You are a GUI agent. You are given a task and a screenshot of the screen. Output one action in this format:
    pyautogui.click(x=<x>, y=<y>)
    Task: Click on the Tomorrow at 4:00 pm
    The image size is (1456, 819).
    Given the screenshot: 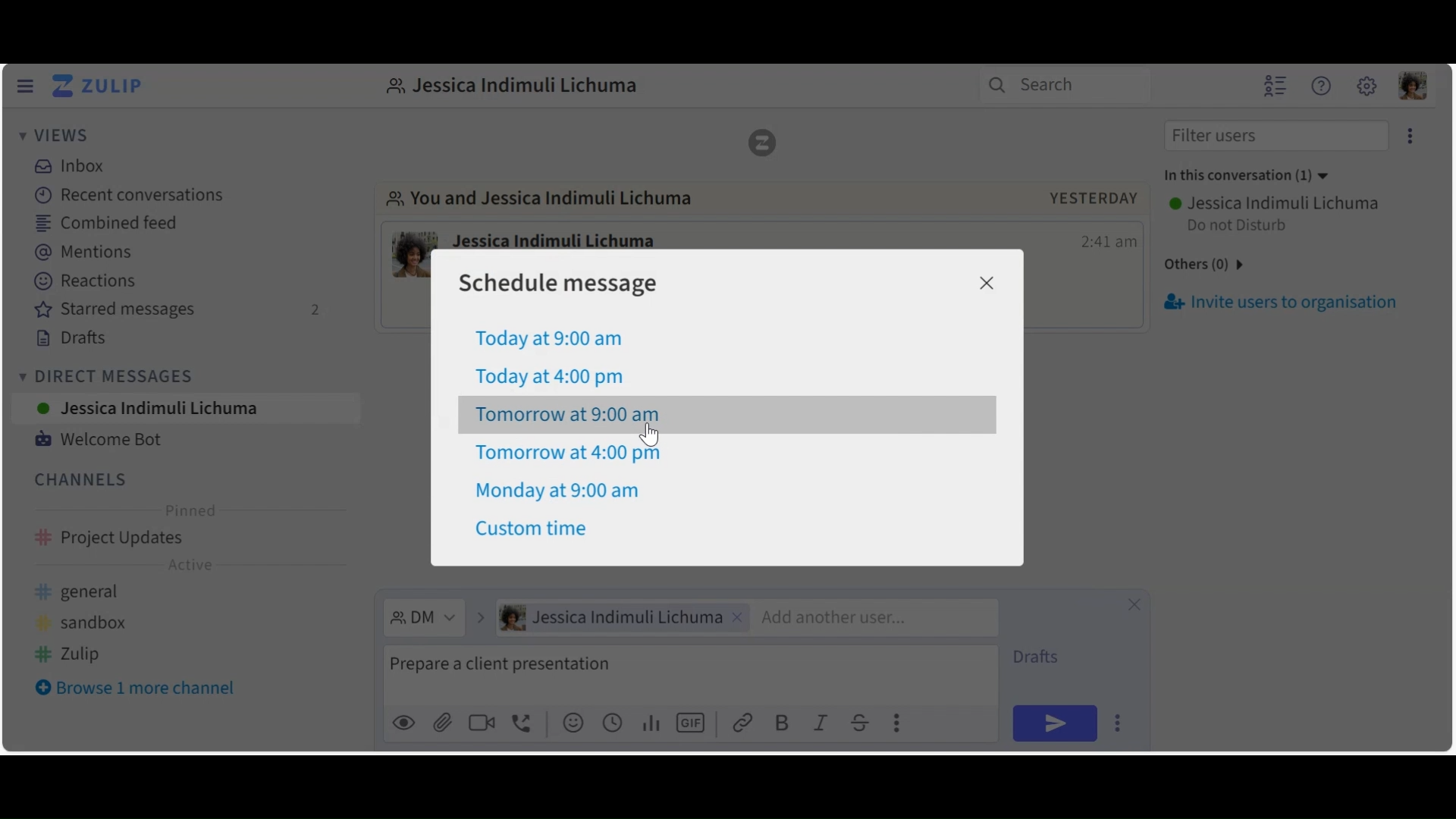 What is the action you would take?
    pyautogui.click(x=568, y=455)
    